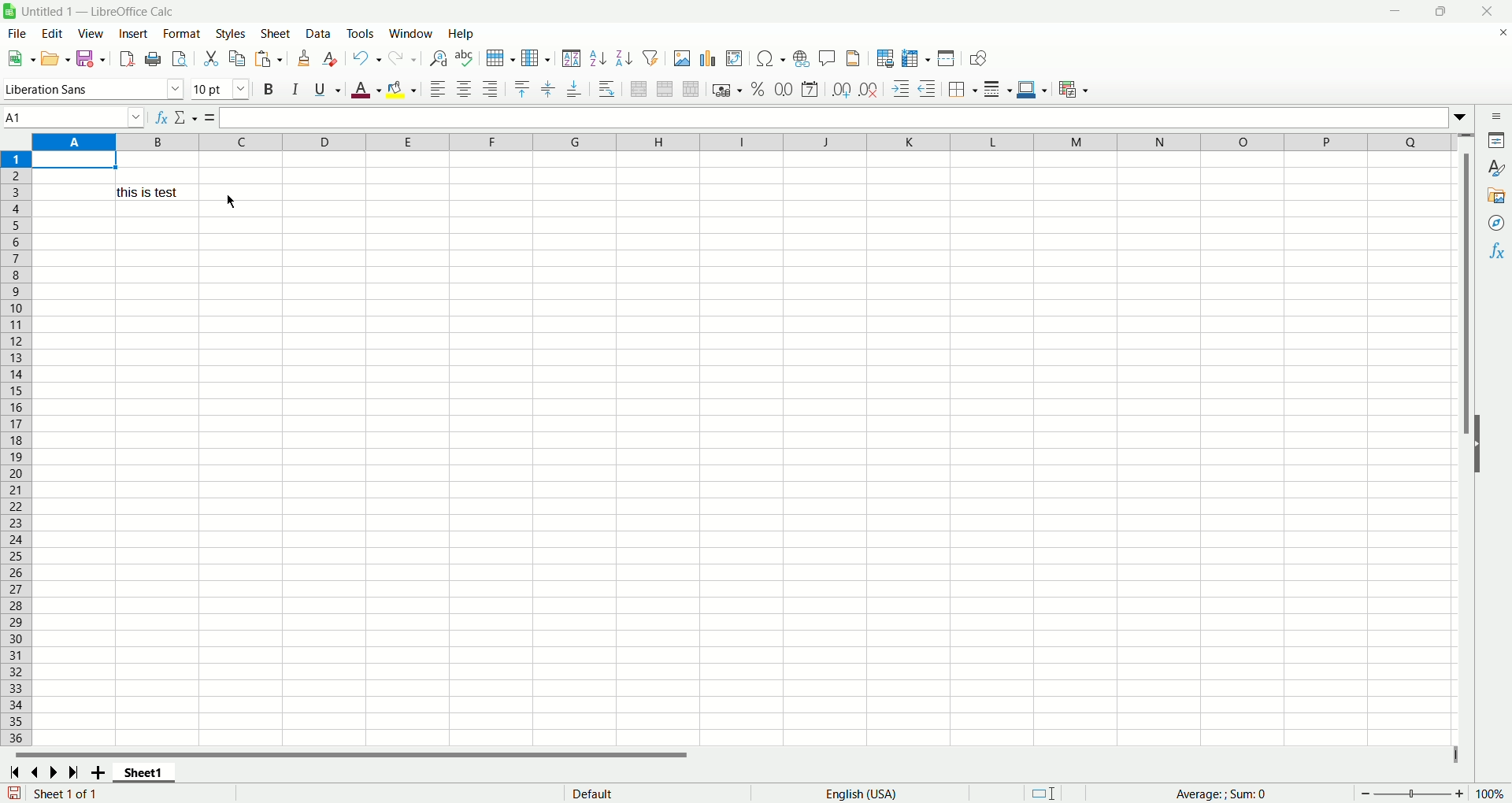  What do you see at coordinates (608, 90) in the screenshot?
I see `wrap text` at bounding box center [608, 90].